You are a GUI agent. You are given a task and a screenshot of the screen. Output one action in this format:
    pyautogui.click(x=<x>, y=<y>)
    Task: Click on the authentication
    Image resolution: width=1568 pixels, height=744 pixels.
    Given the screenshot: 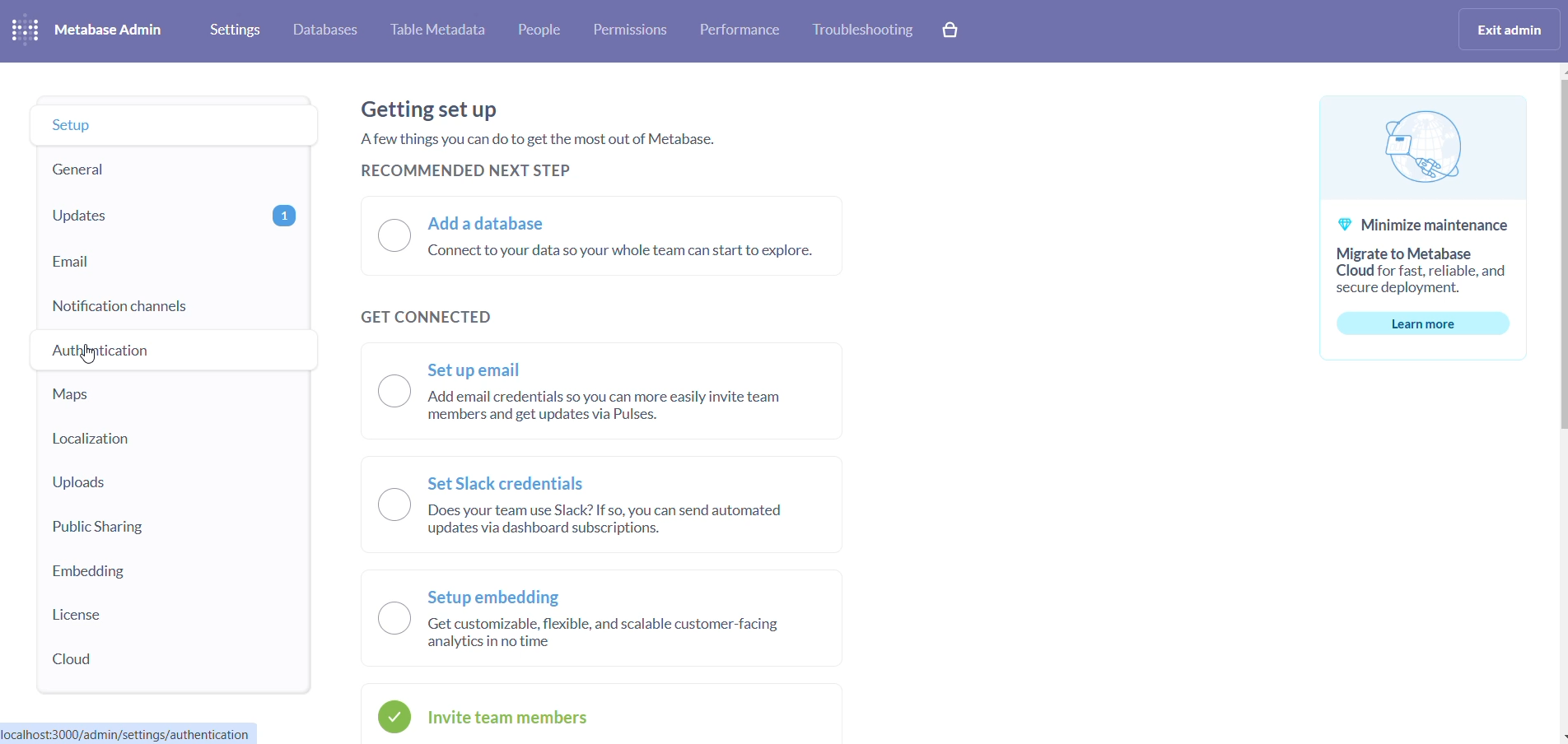 What is the action you would take?
    pyautogui.click(x=157, y=348)
    